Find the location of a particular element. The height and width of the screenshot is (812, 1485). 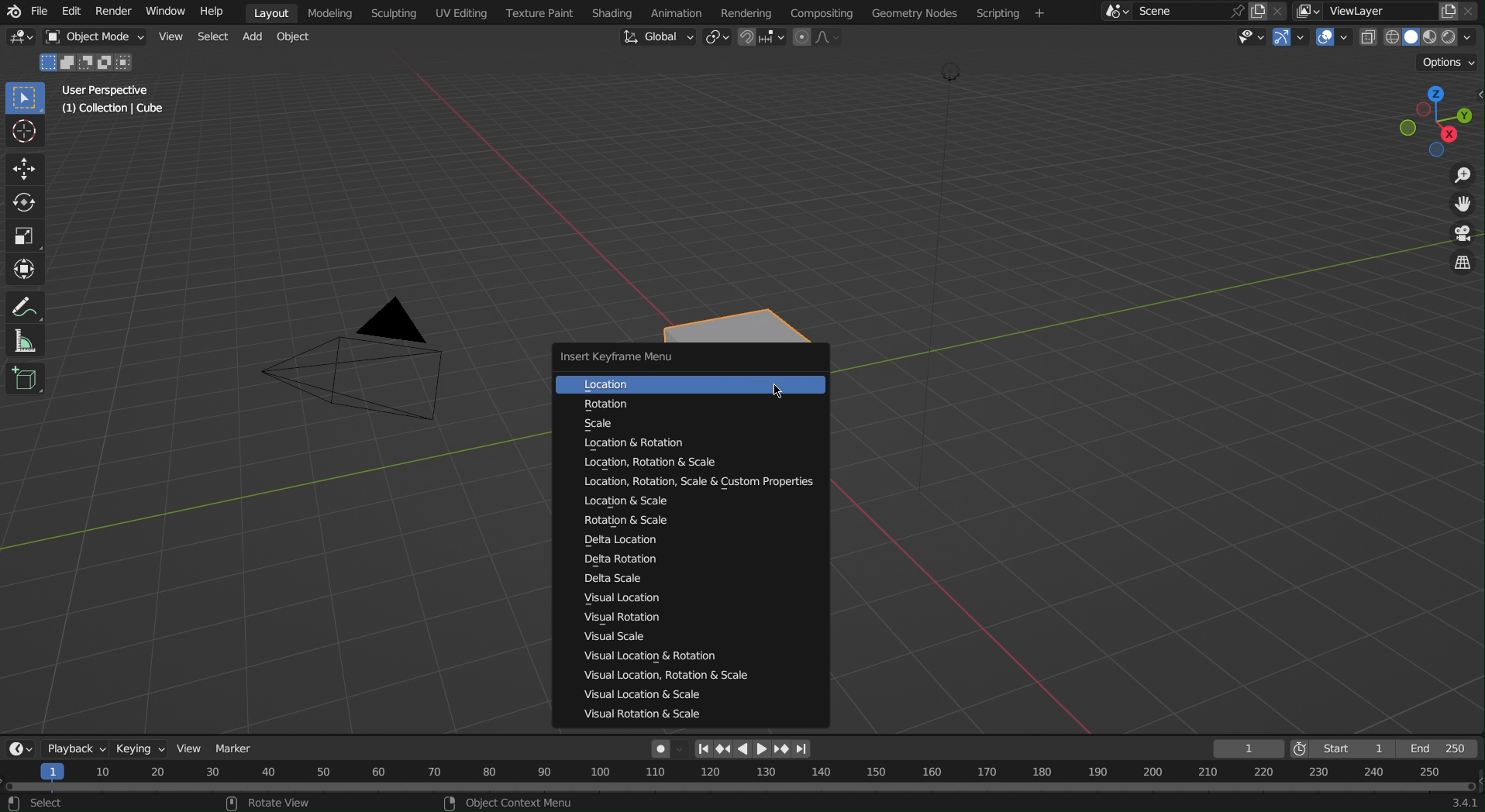

More layers is located at coordinates (1304, 10).